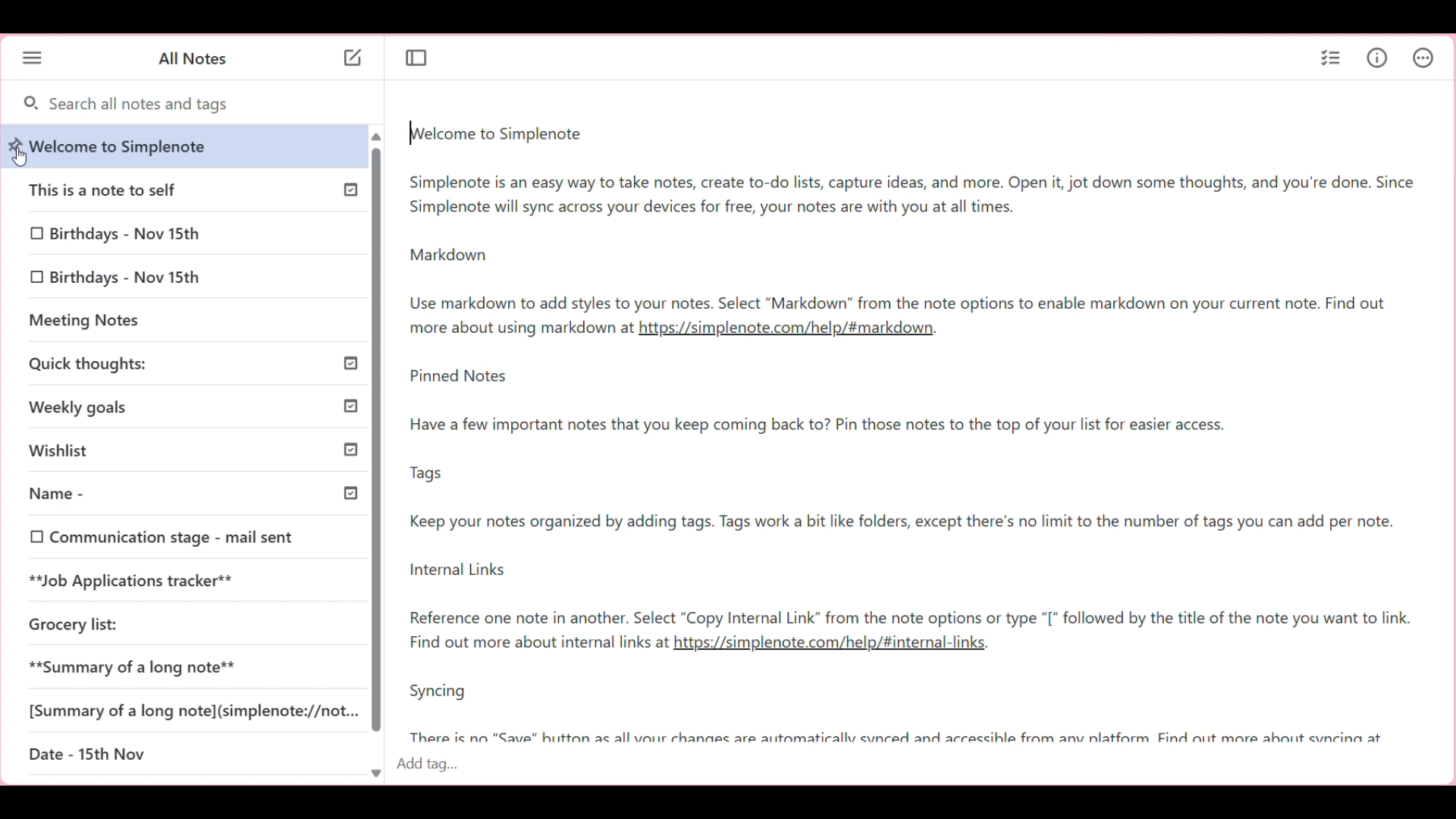 The width and height of the screenshot is (1456, 819). I want to click on , so click(350, 493).